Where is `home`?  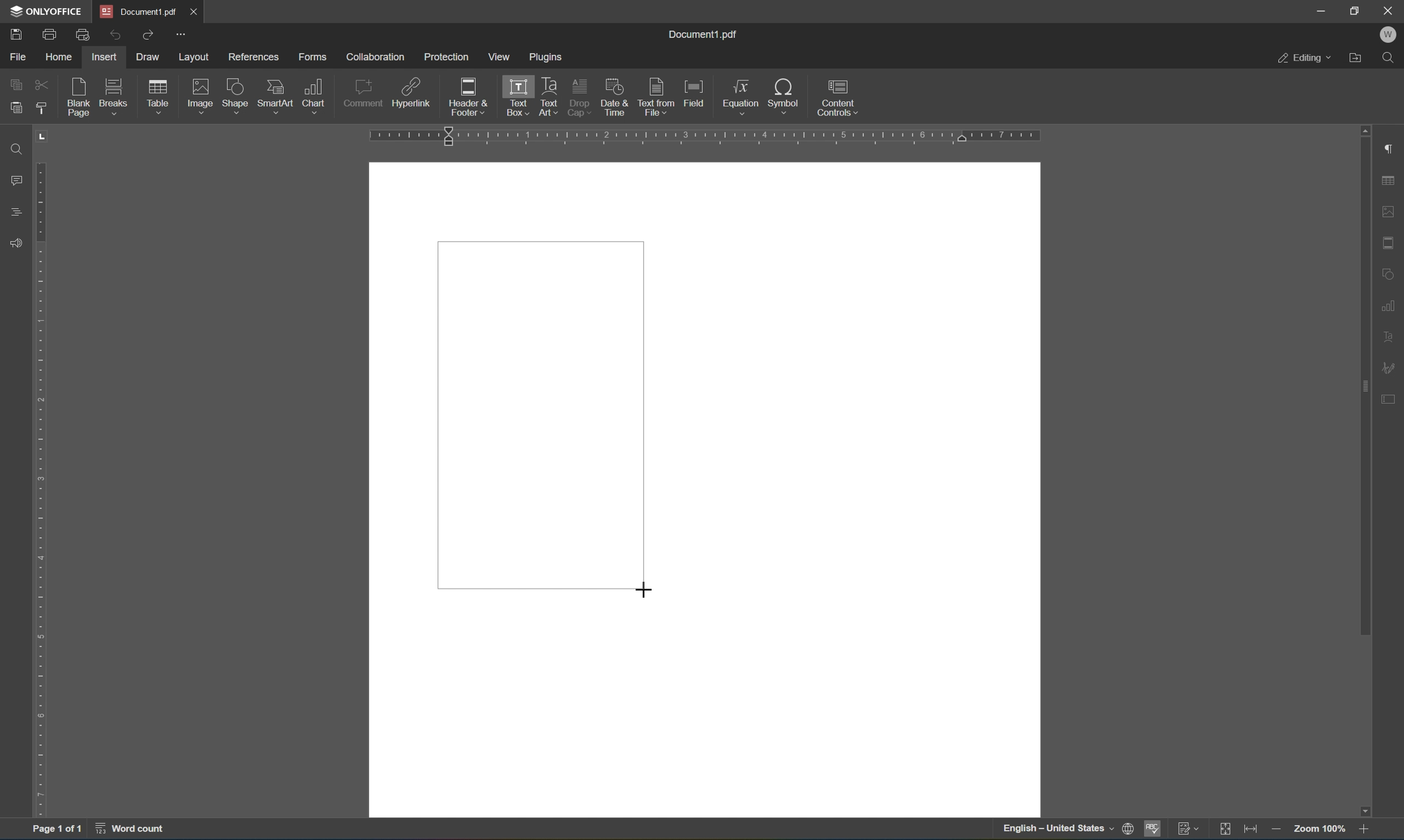 home is located at coordinates (61, 57).